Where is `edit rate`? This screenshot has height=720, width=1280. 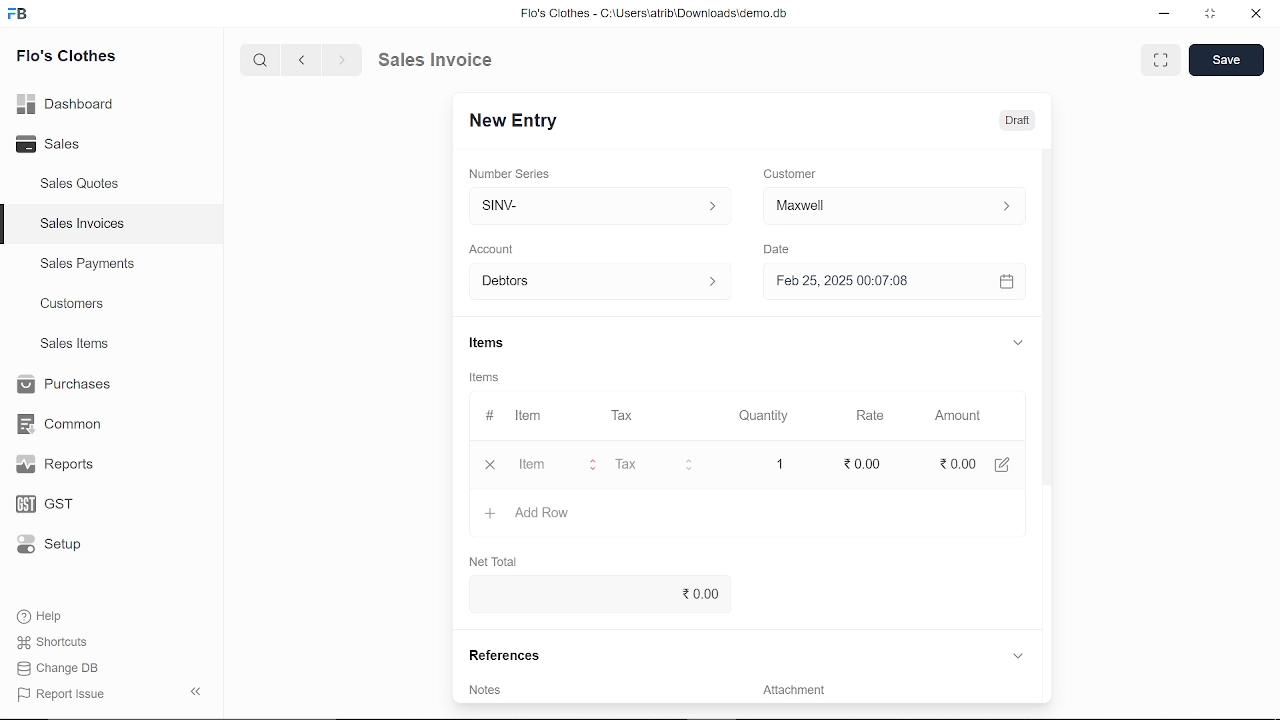 edit rate is located at coordinates (860, 463).